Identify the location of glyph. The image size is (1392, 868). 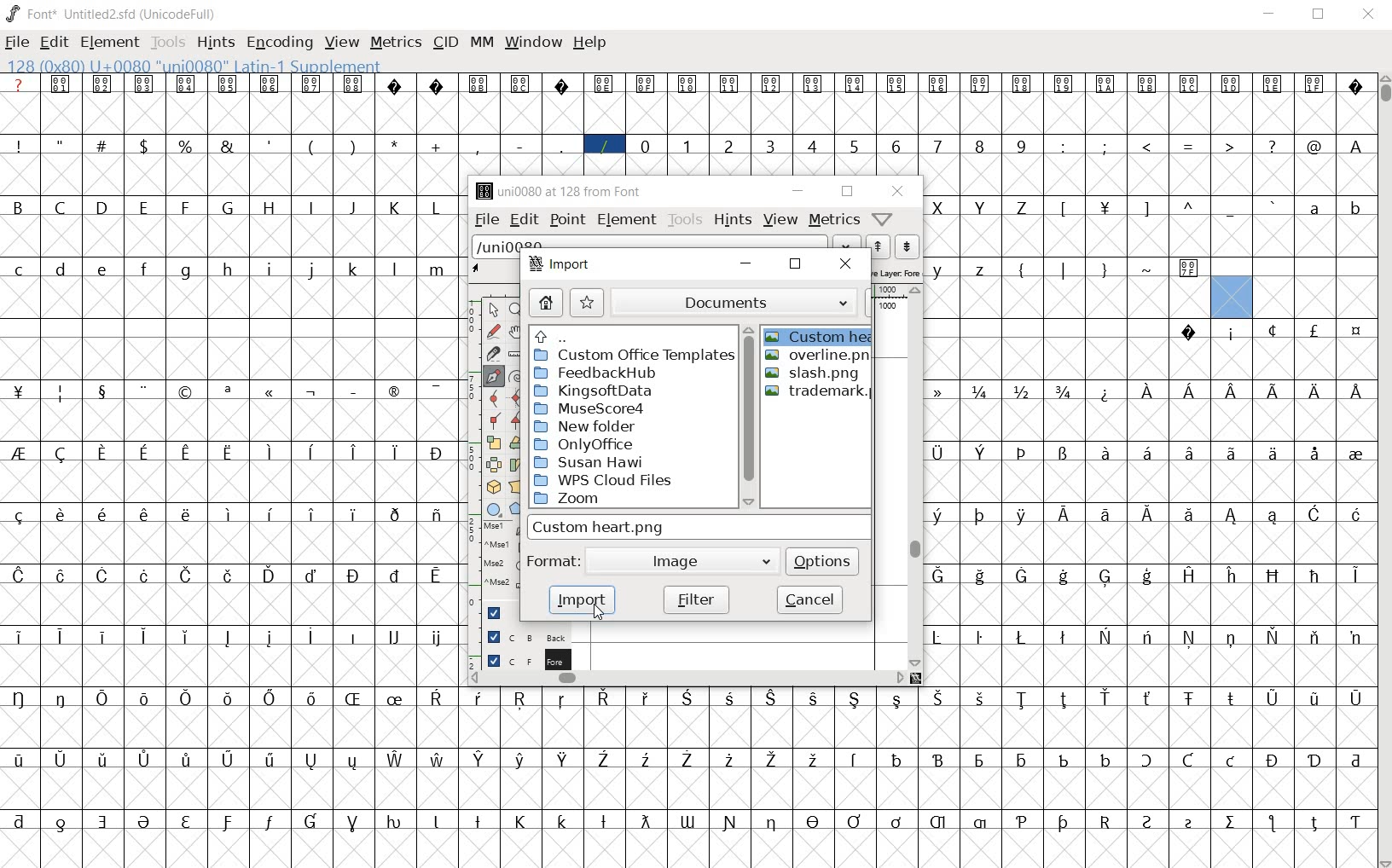
(351, 762).